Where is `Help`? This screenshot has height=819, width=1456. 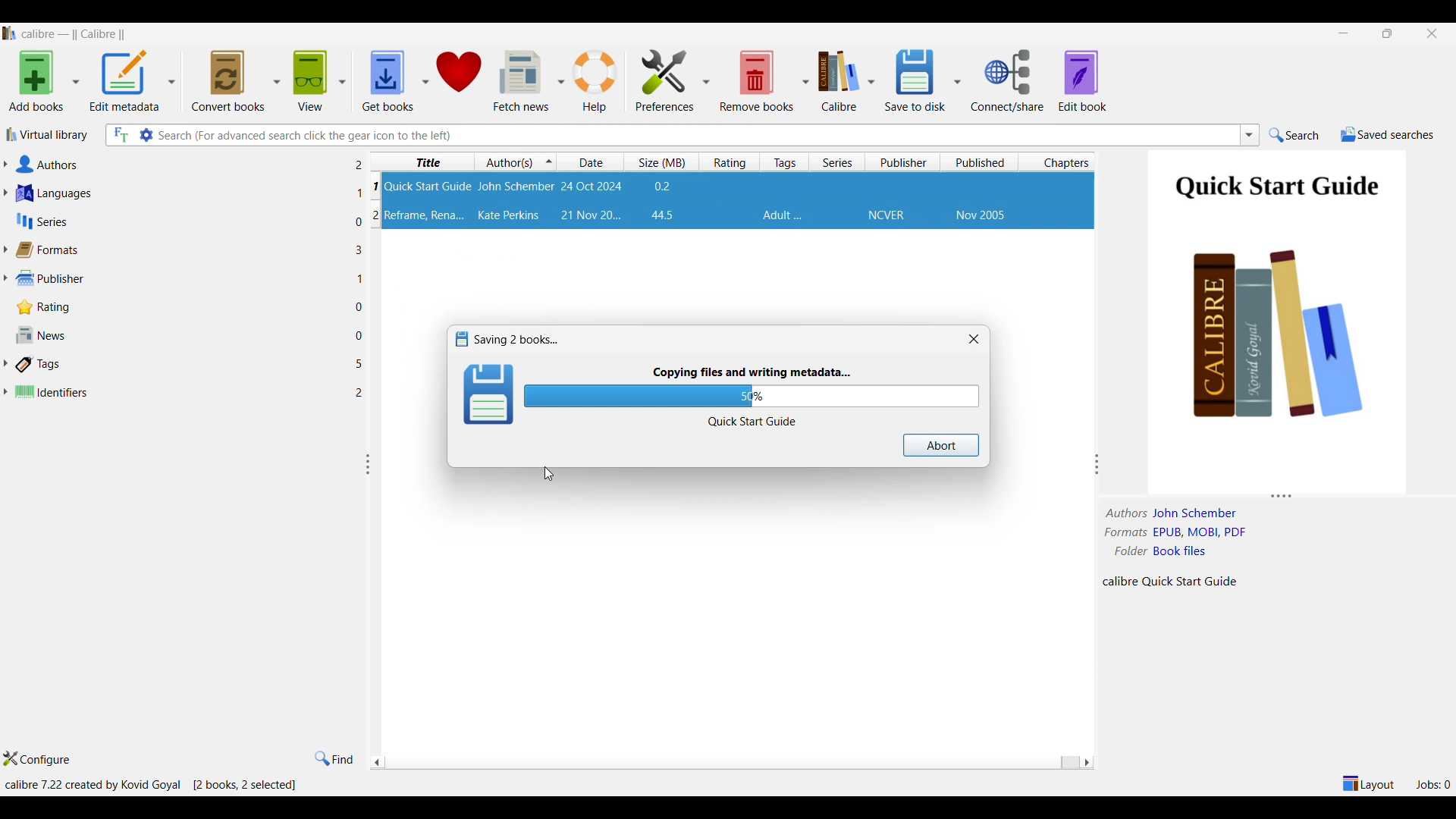
Help is located at coordinates (595, 82).